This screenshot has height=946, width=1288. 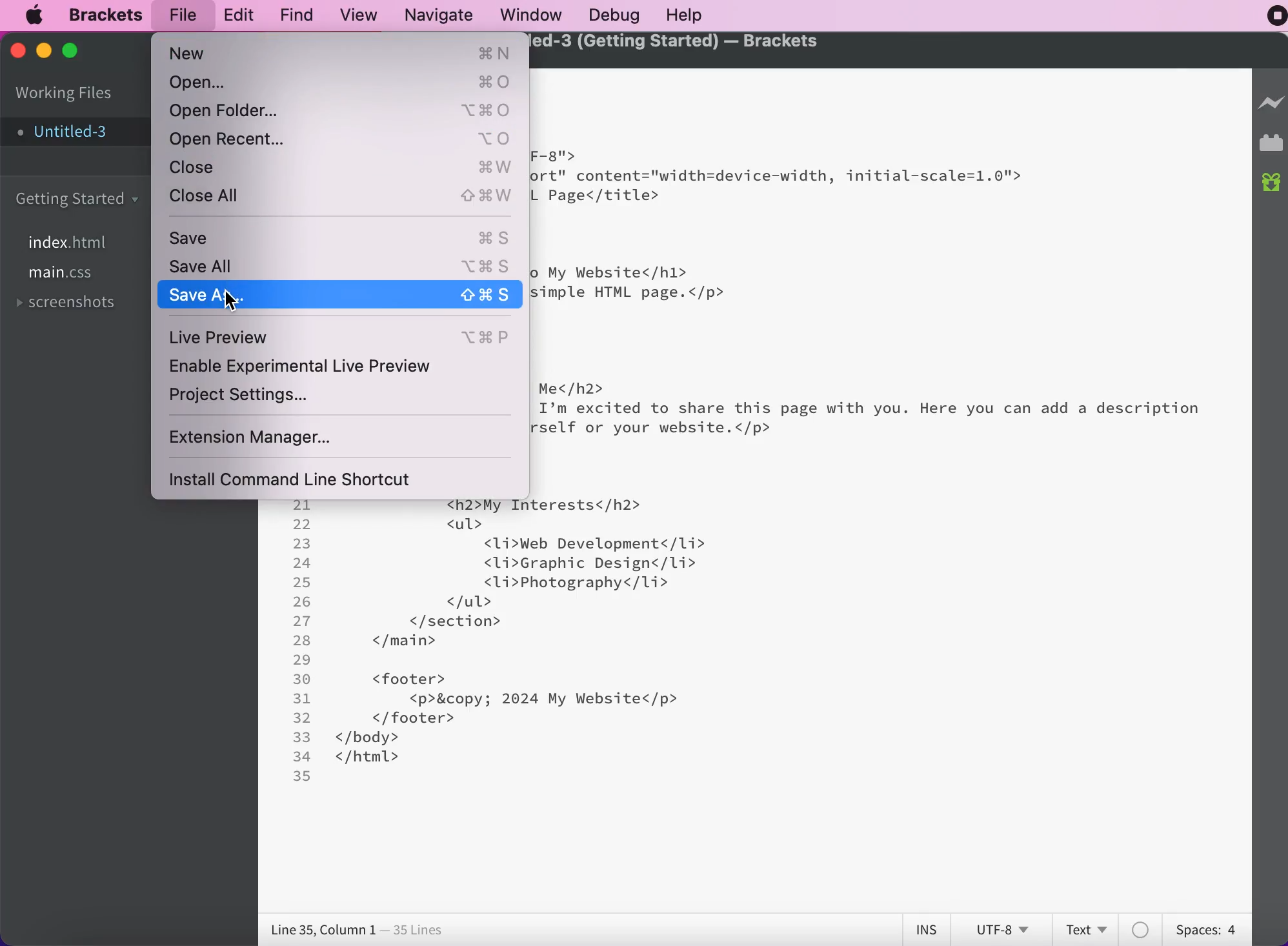 What do you see at coordinates (1269, 180) in the screenshot?
I see `new builds of bracket available` at bounding box center [1269, 180].